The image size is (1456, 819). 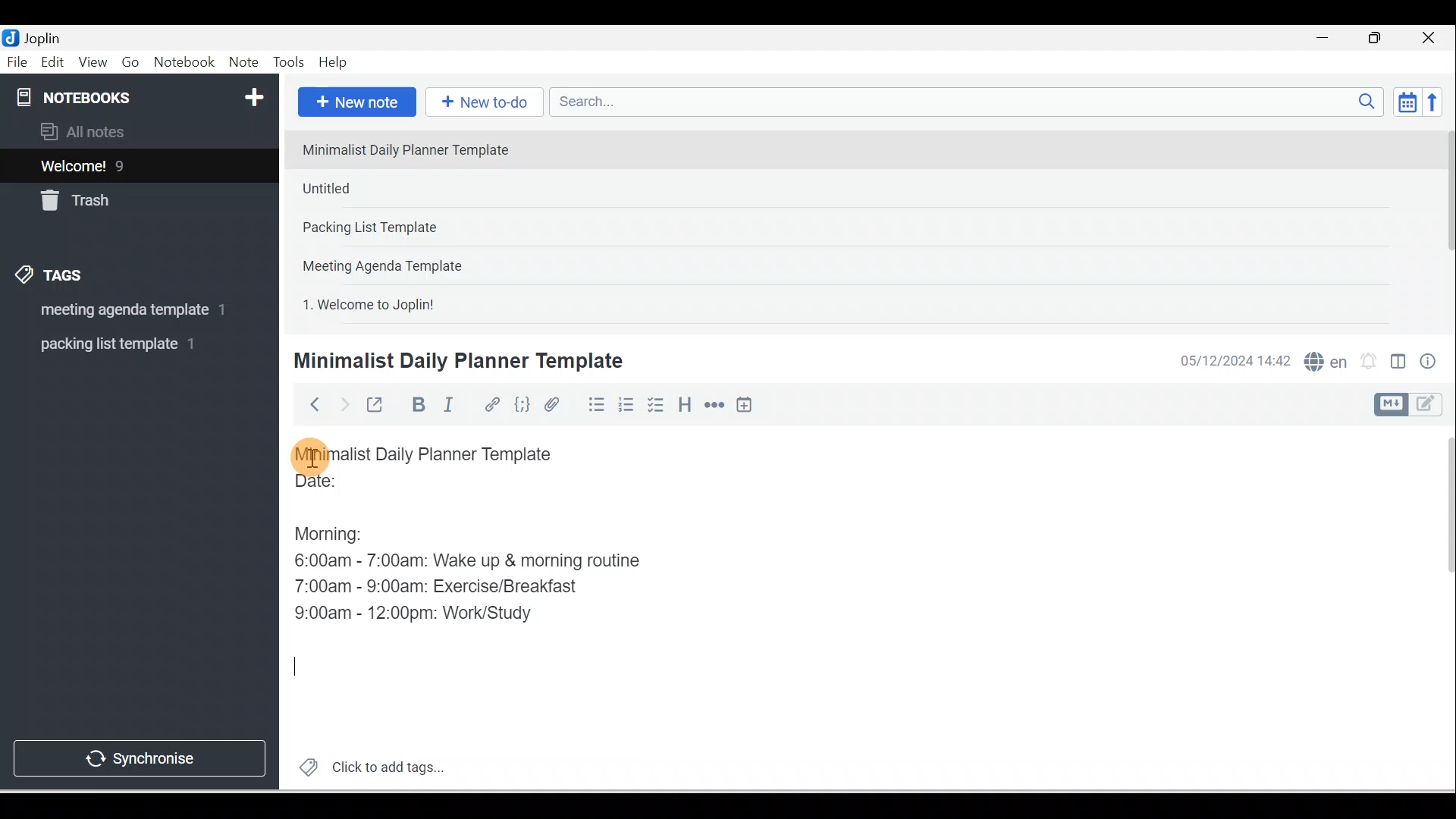 I want to click on All notes, so click(x=137, y=131).